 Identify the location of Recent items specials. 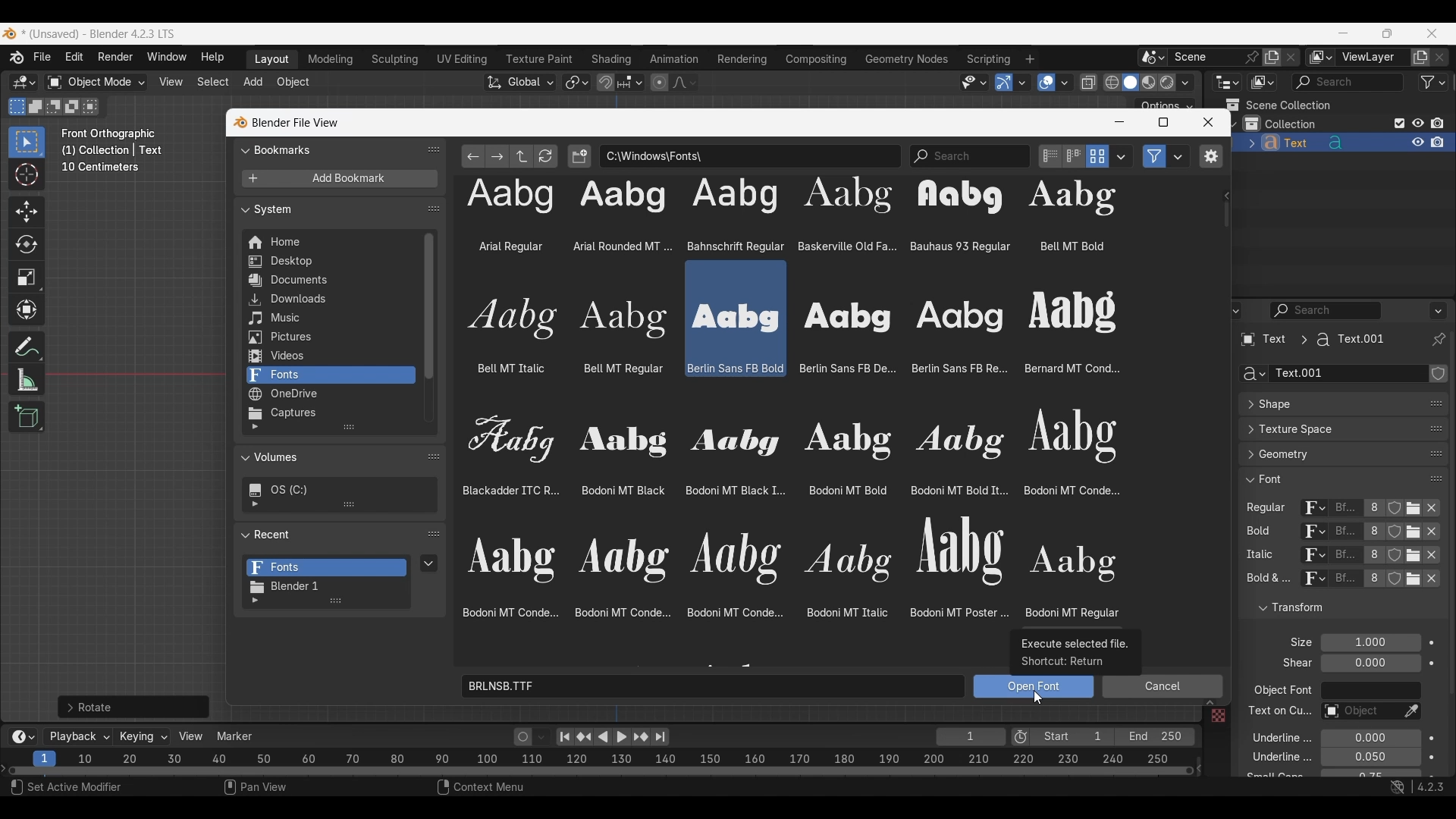
(429, 563).